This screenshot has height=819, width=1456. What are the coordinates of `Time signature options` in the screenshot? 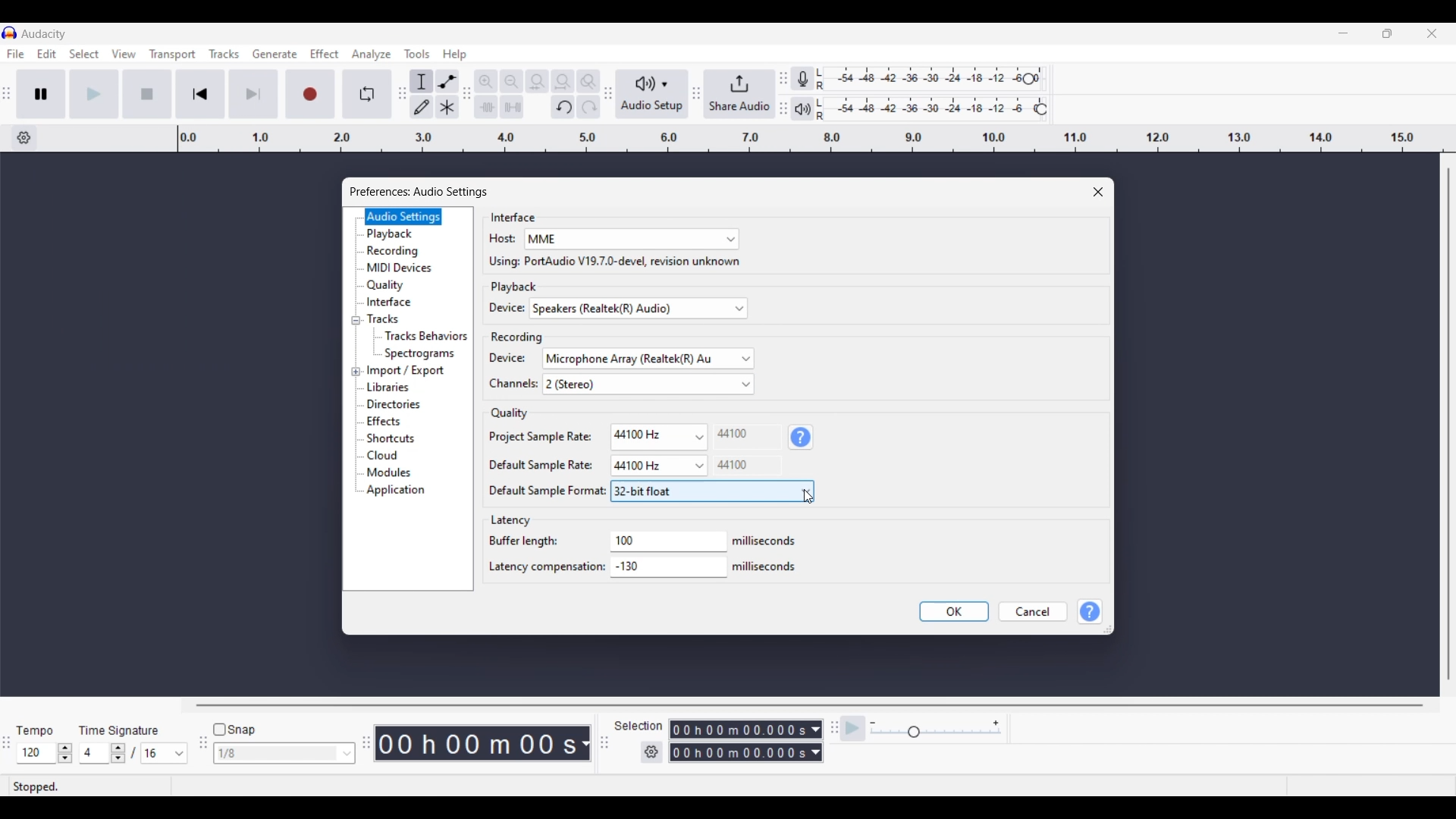 It's located at (180, 754).